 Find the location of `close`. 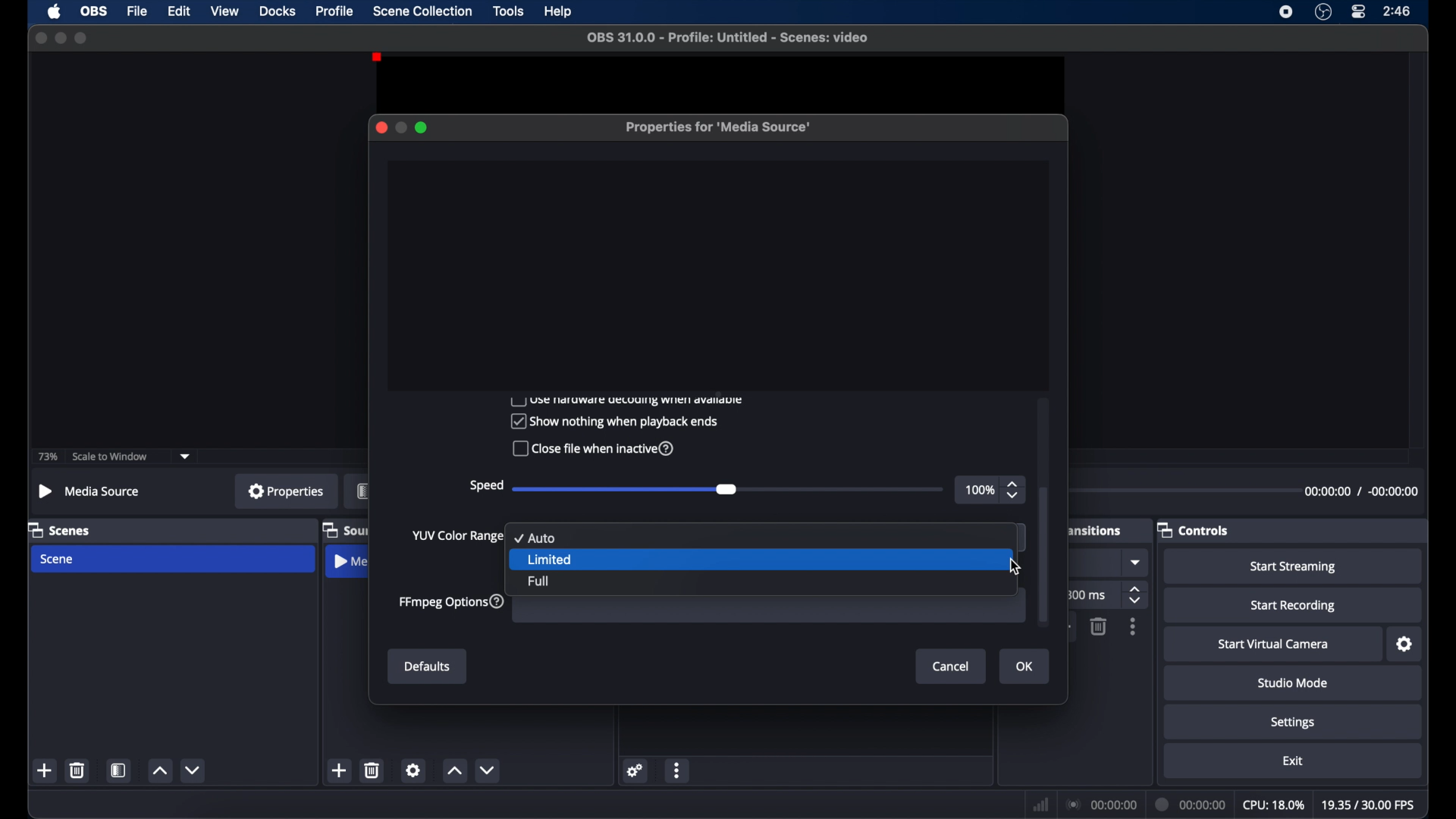

close is located at coordinates (38, 37).